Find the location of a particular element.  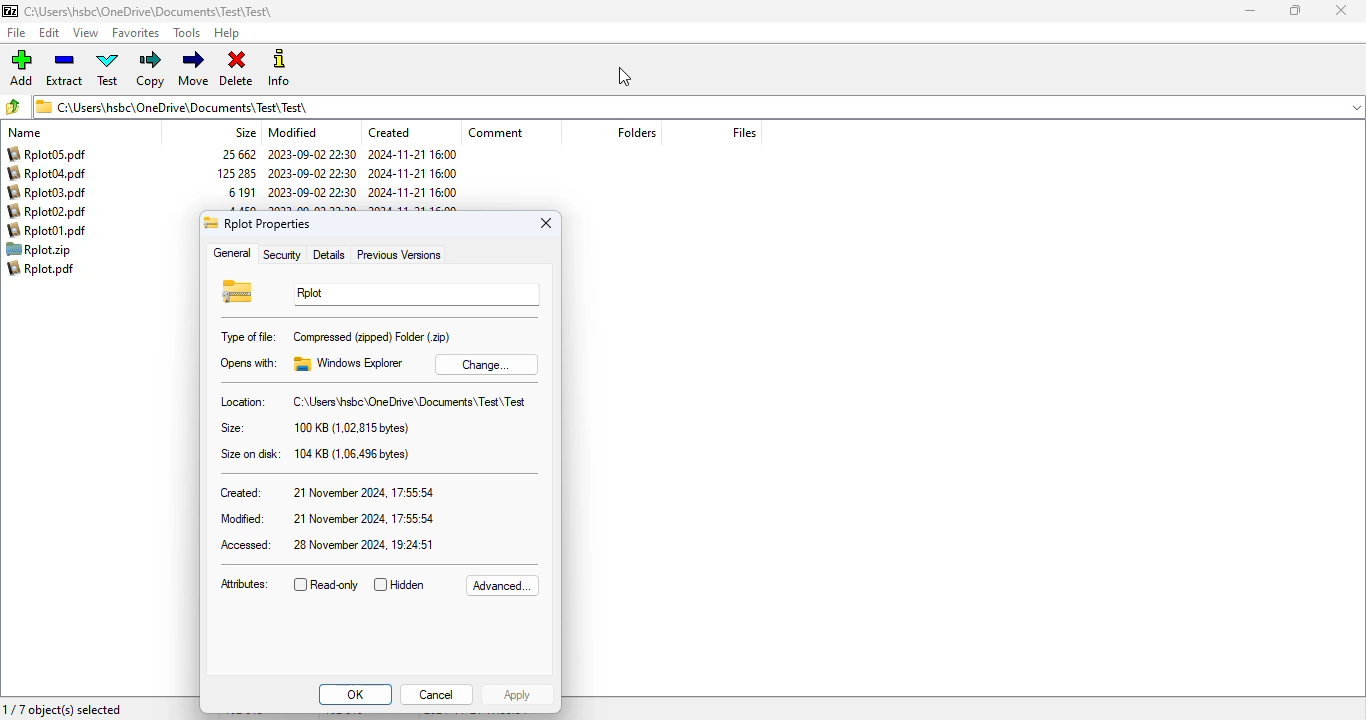

folders is located at coordinates (637, 133).